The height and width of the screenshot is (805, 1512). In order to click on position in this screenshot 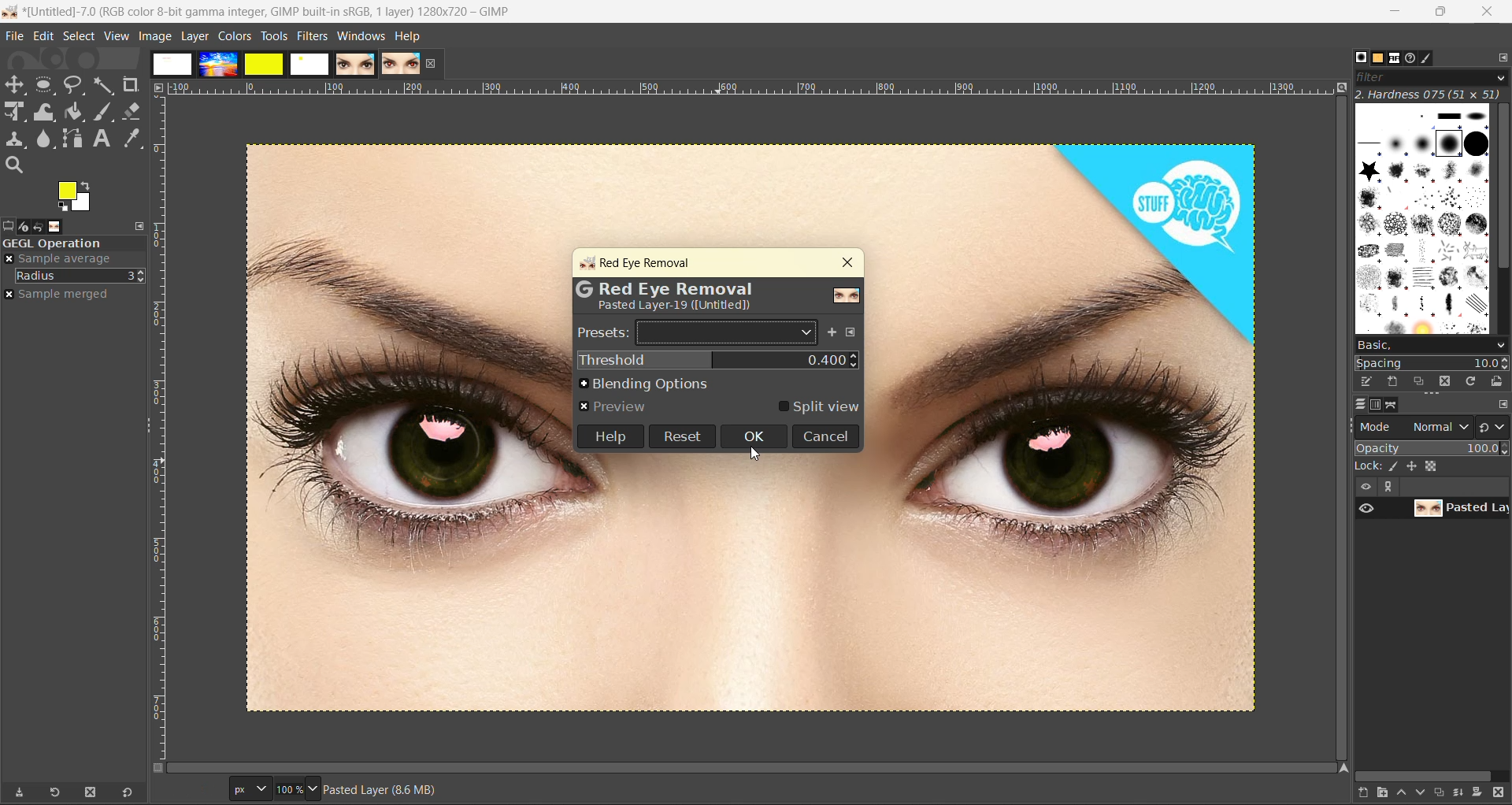, I will do `click(1414, 466)`.